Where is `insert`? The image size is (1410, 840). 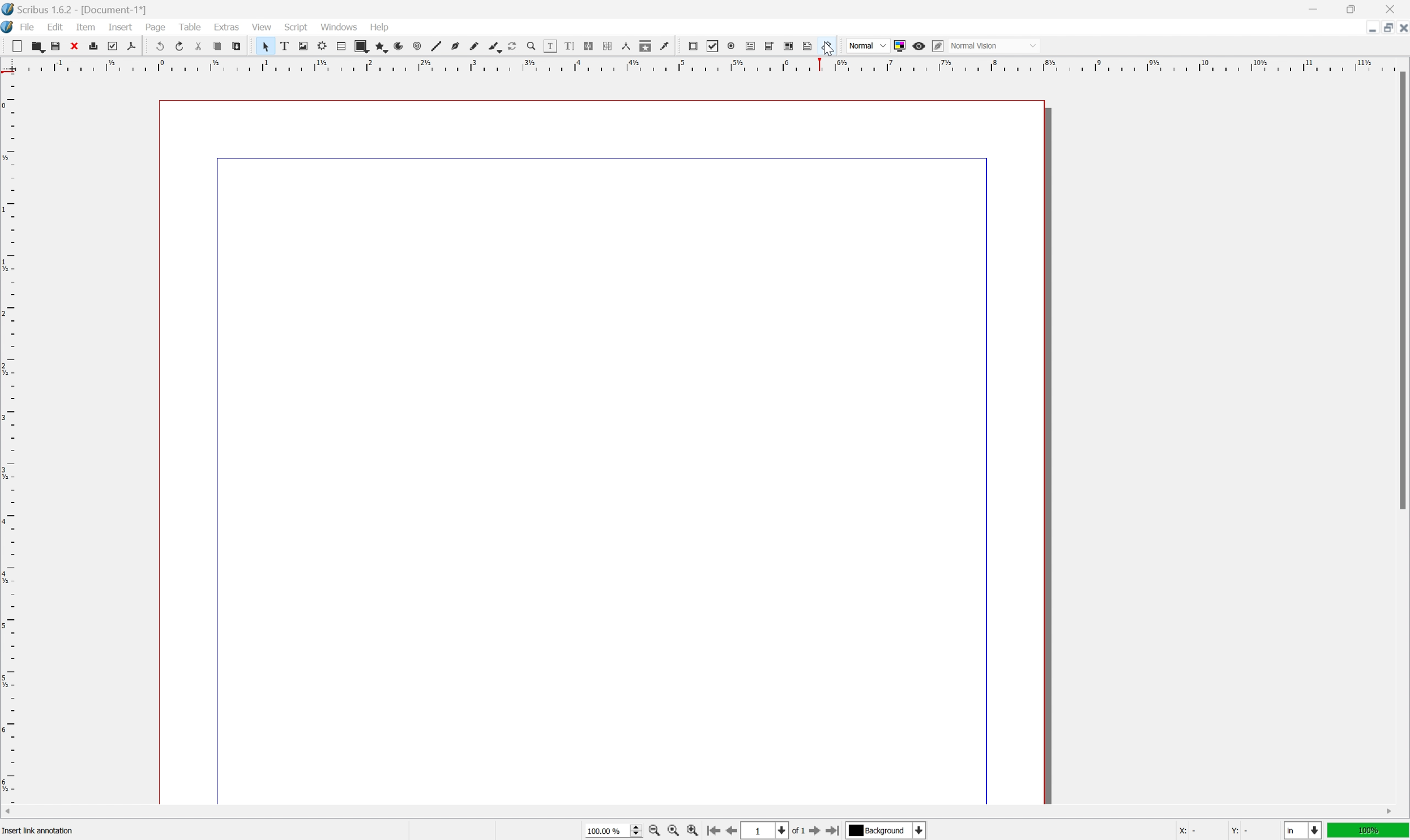
insert is located at coordinates (121, 27).